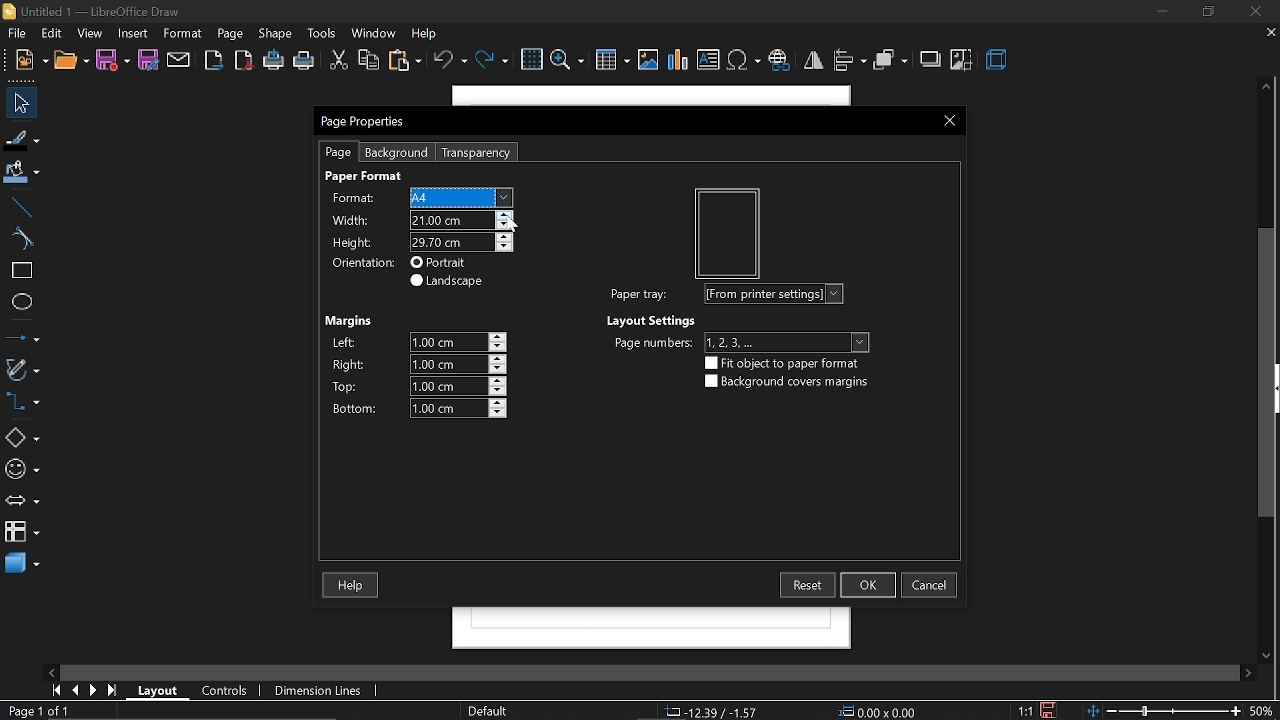 This screenshot has height=720, width=1280. What do you see at coordinates (709, 59) in the screenshot?
I see `insert text` at bounding box center [709, 59].